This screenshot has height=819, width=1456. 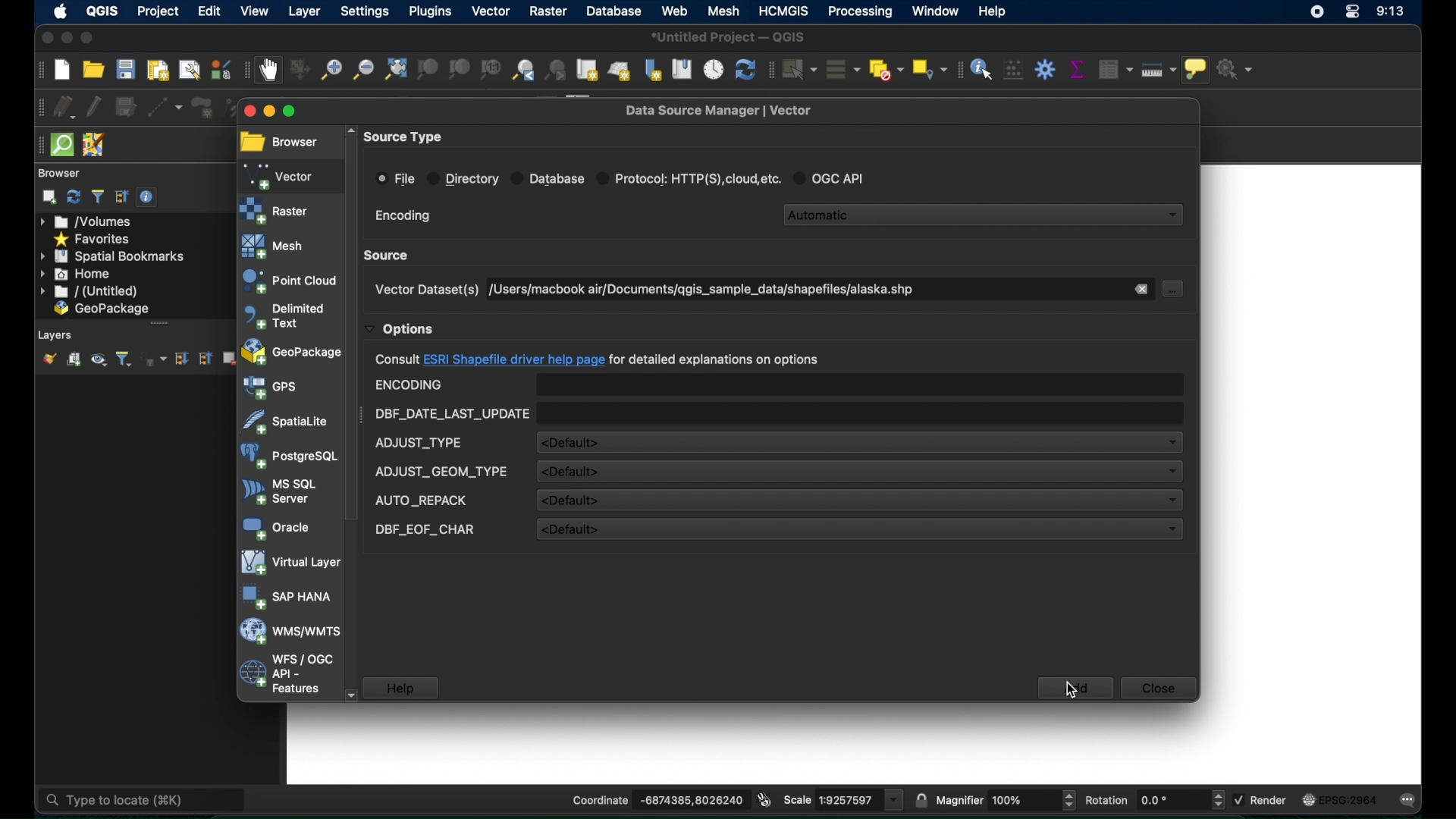 What do you see at coordinates (289, 632) in the screenshot?
I see `wms/wmts` at bounding box center [289, 632].